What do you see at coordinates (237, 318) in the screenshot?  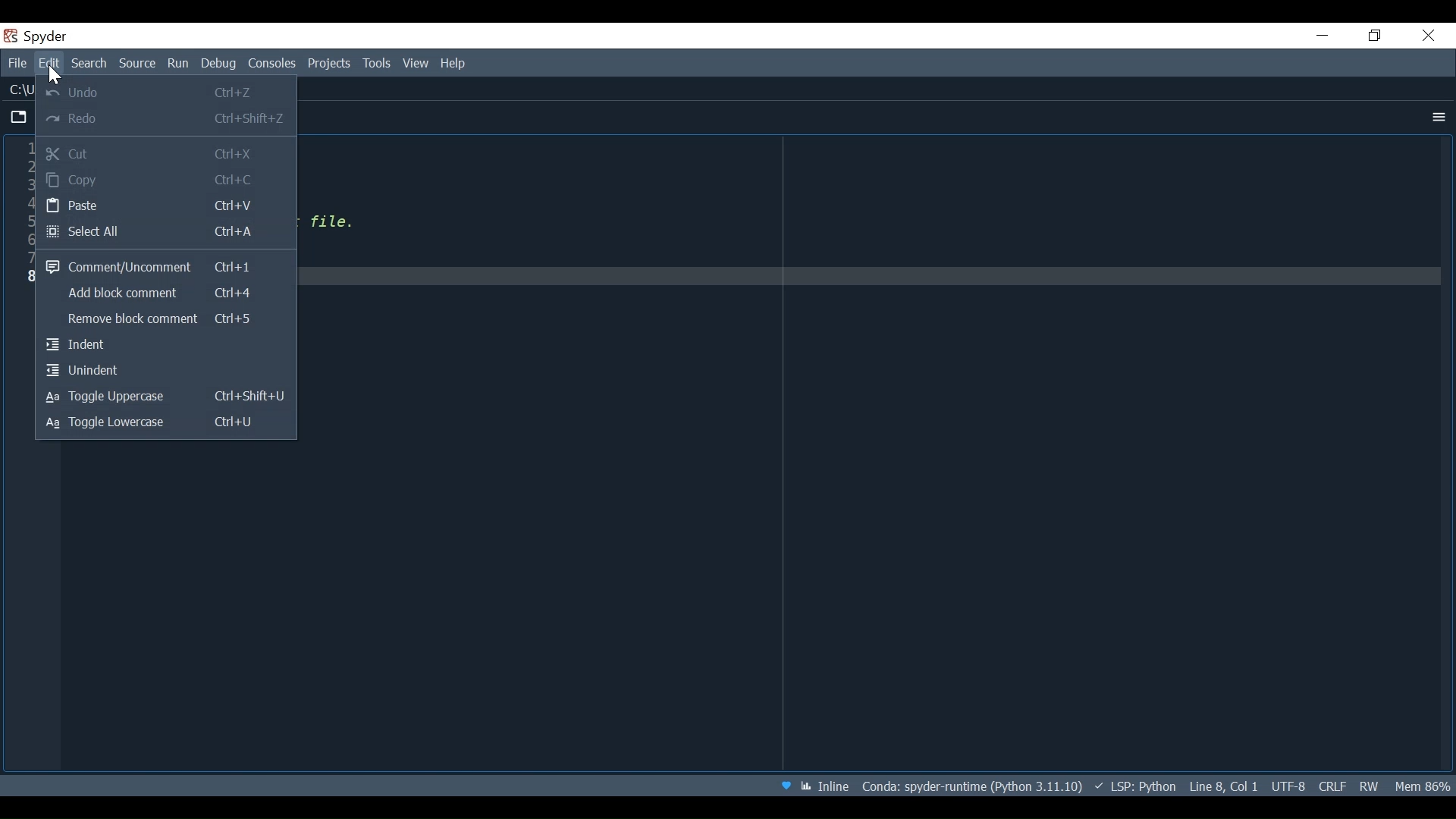 I see `Ctrl+5` at bounding box center [237, 318].